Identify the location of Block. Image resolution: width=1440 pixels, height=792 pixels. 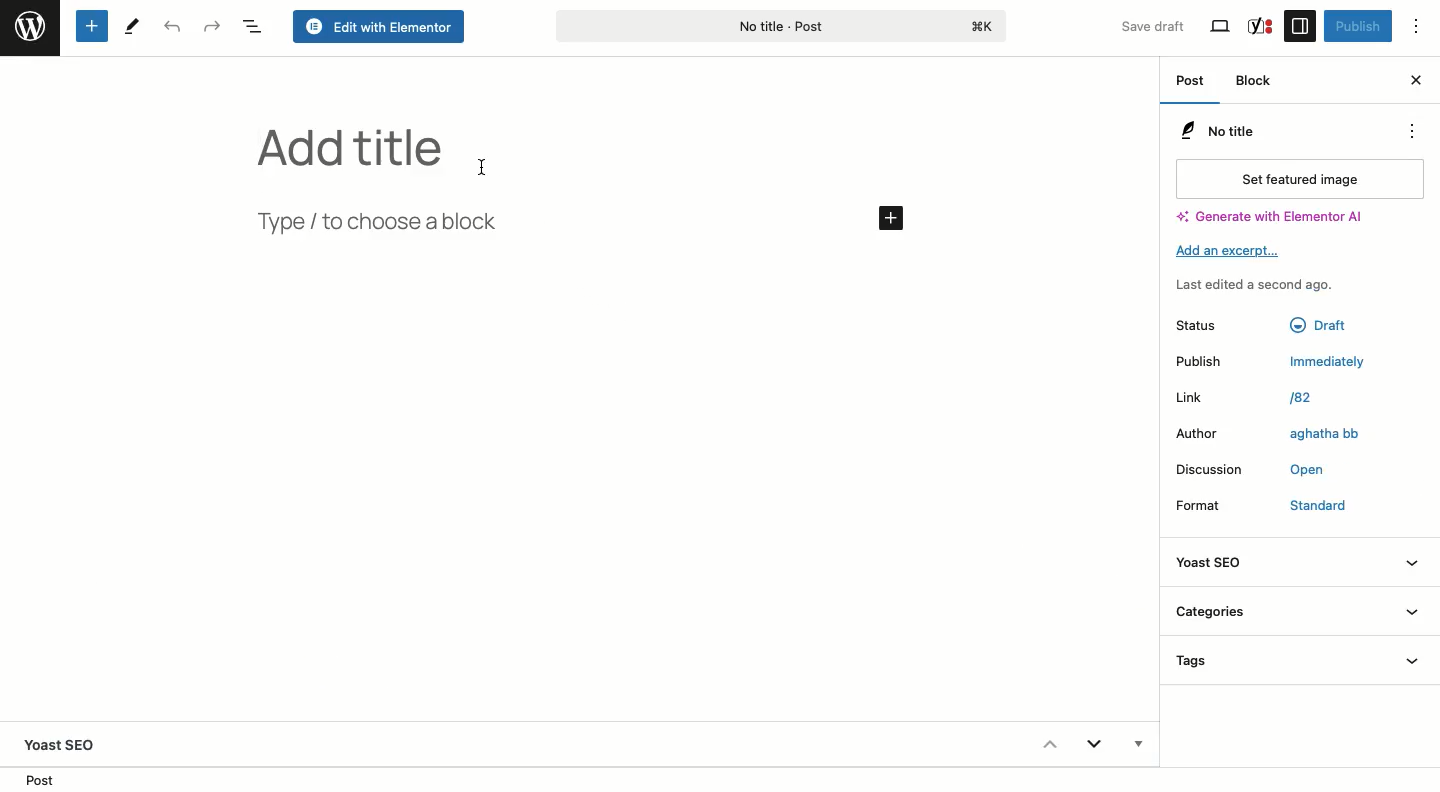
(1258, 83).